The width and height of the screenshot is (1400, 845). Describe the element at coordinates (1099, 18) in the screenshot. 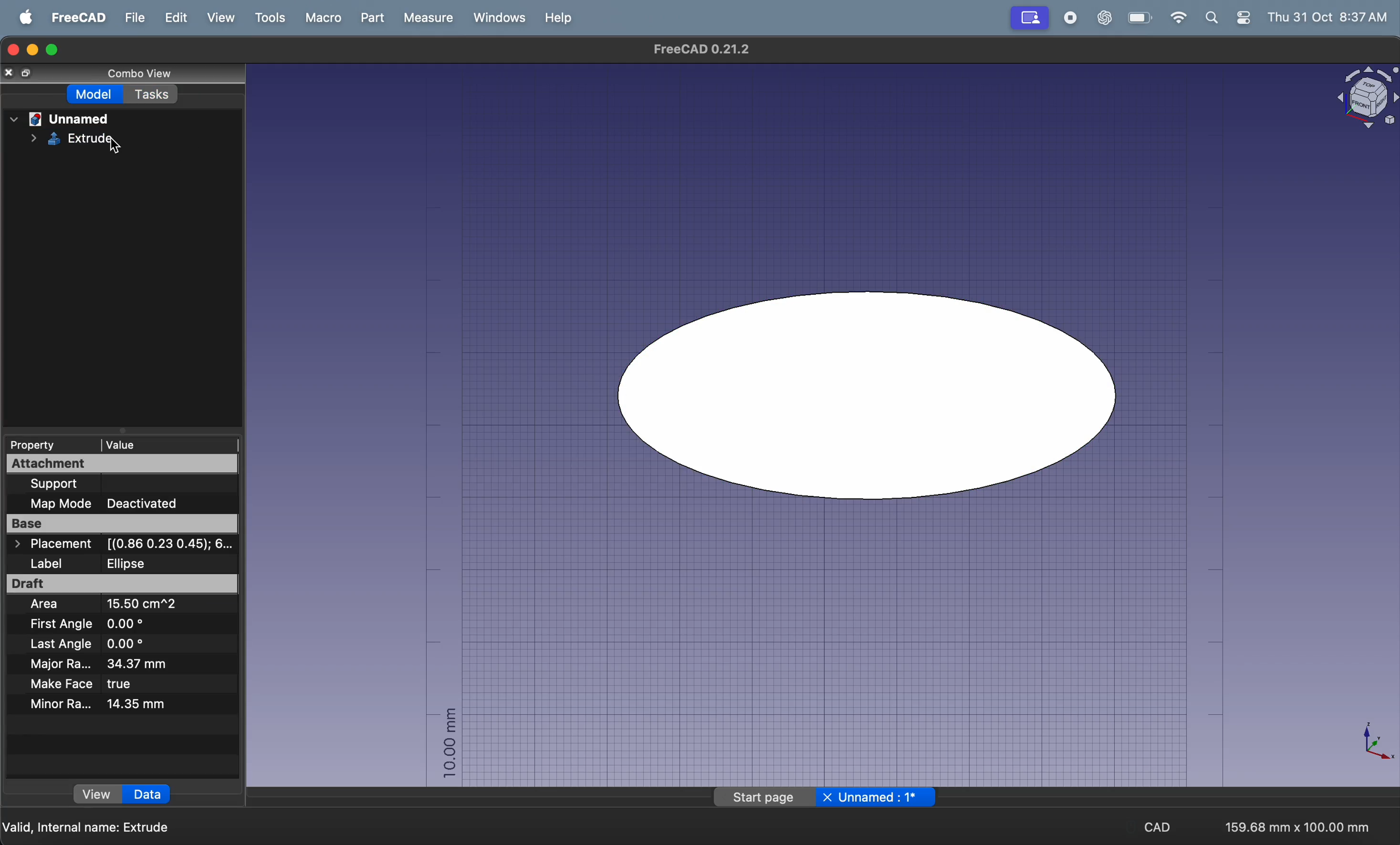

I see `chatgpt` at that location.